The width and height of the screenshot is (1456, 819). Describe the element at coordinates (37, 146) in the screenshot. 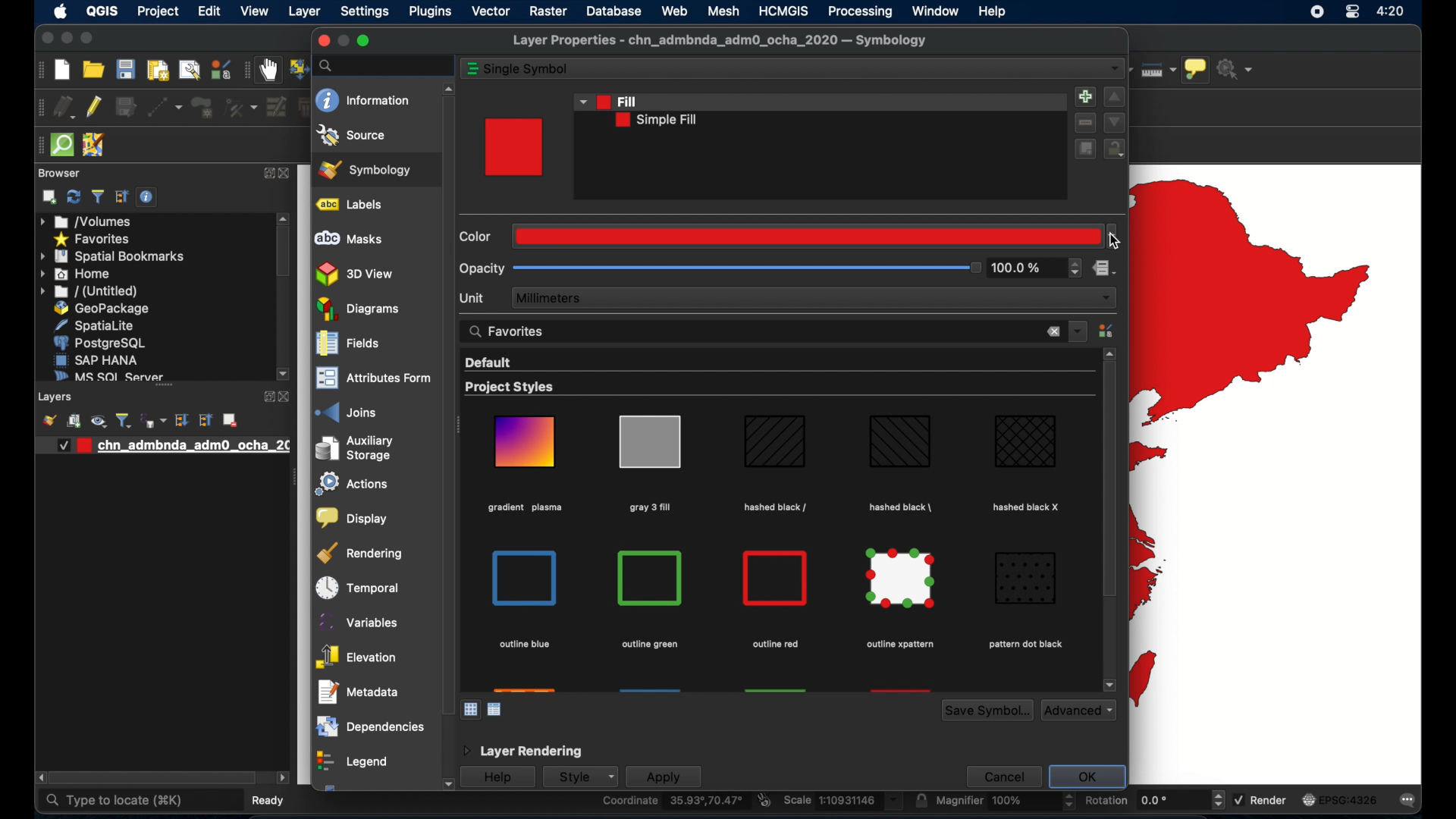

I see `drag handle` at that location.